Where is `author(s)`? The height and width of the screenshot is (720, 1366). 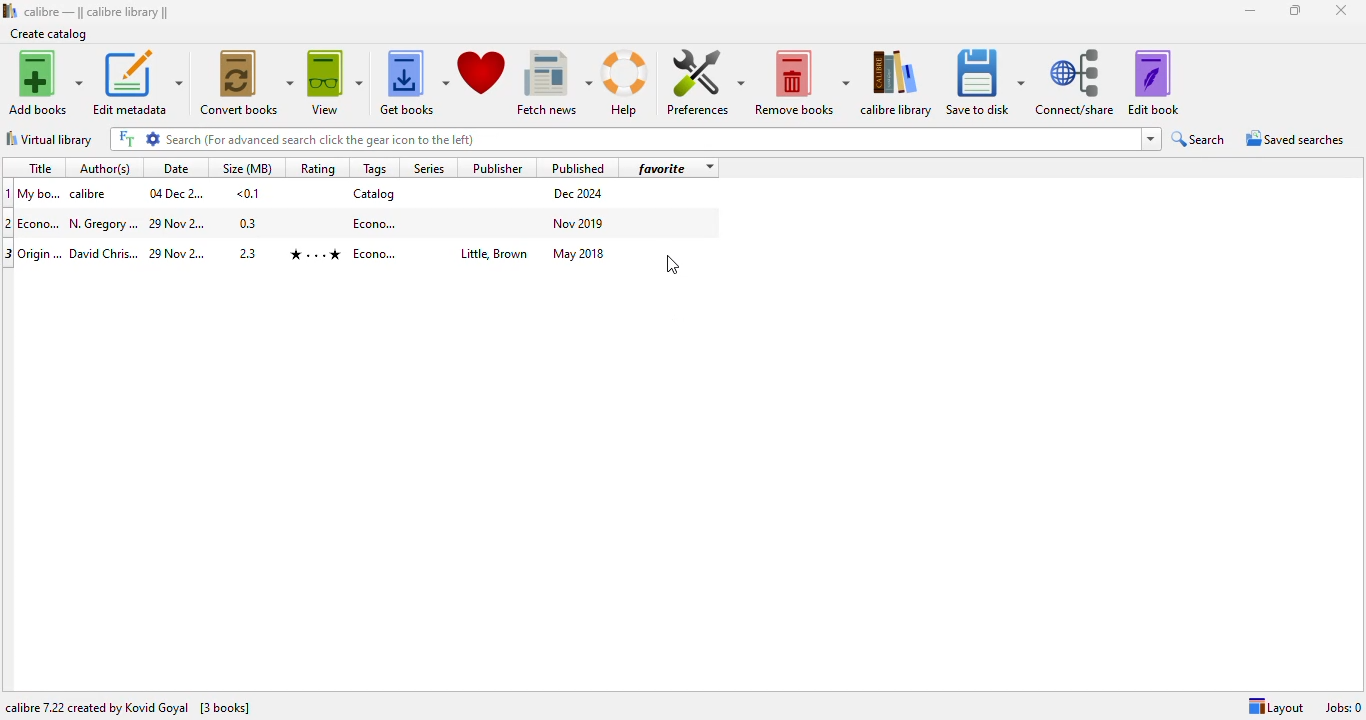 author(s) is located at coordinates (108, 167).